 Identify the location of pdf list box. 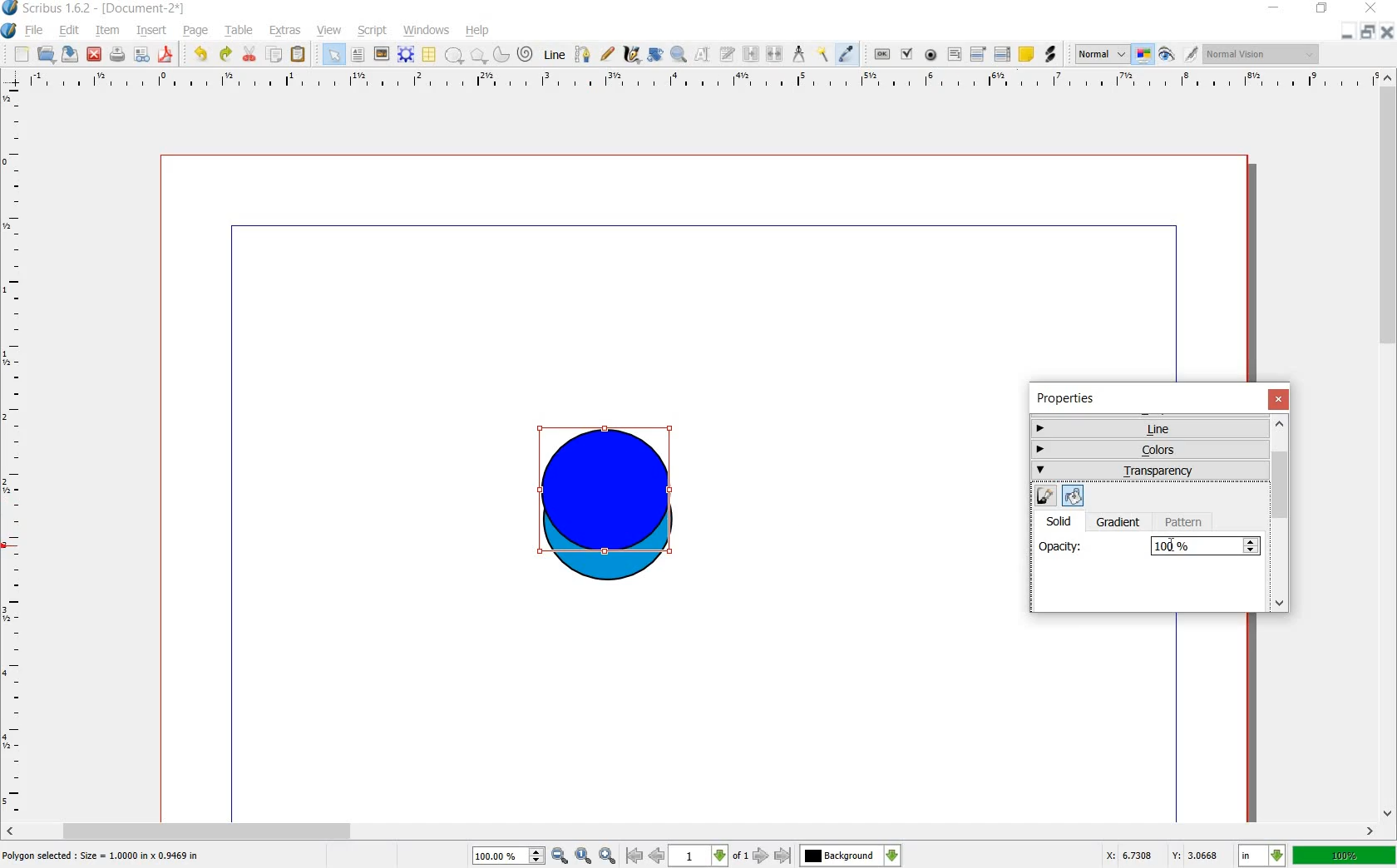
(1002, 52).